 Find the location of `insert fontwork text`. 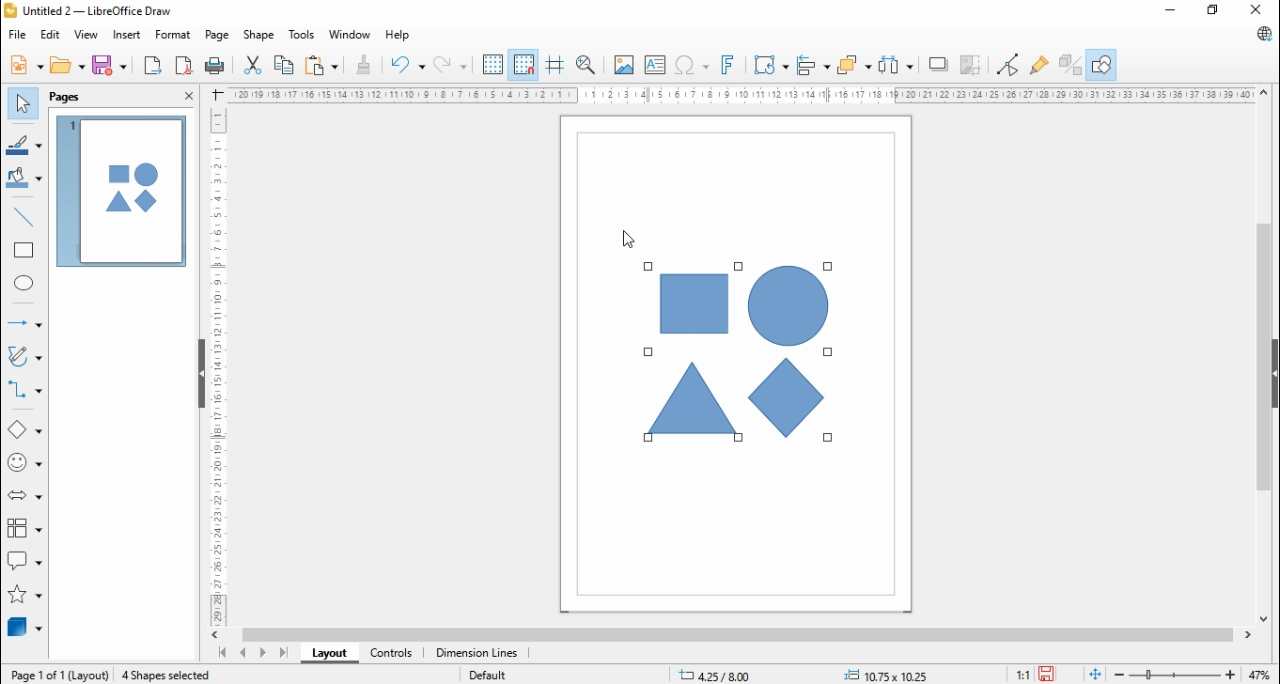

insert fontwork text is located at coordinates (729, 64).